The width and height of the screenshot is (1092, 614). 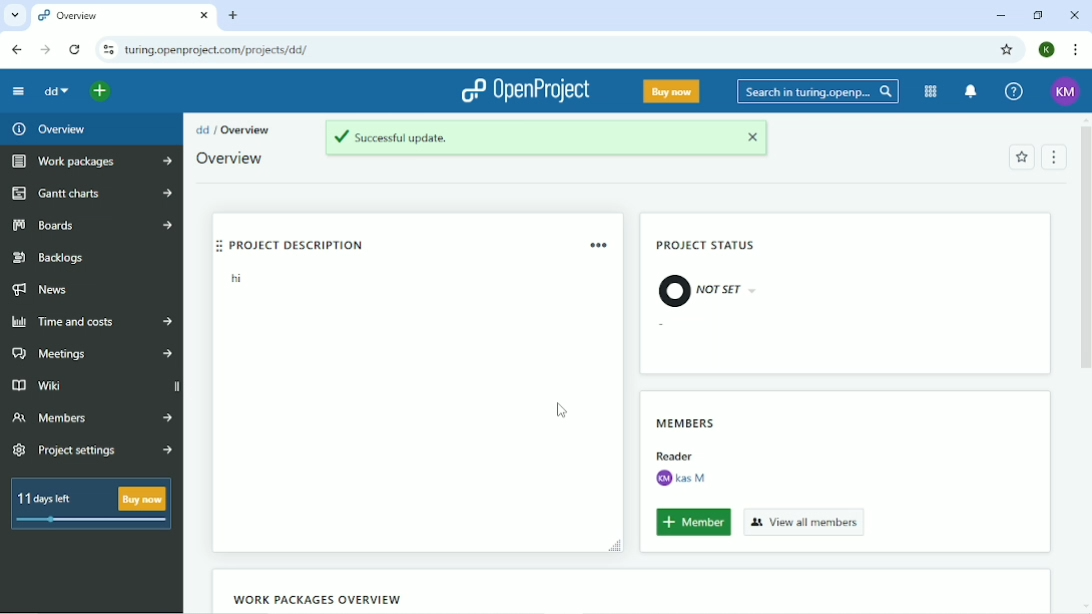 I want to click on Work packages, so click(x=89, y=162).